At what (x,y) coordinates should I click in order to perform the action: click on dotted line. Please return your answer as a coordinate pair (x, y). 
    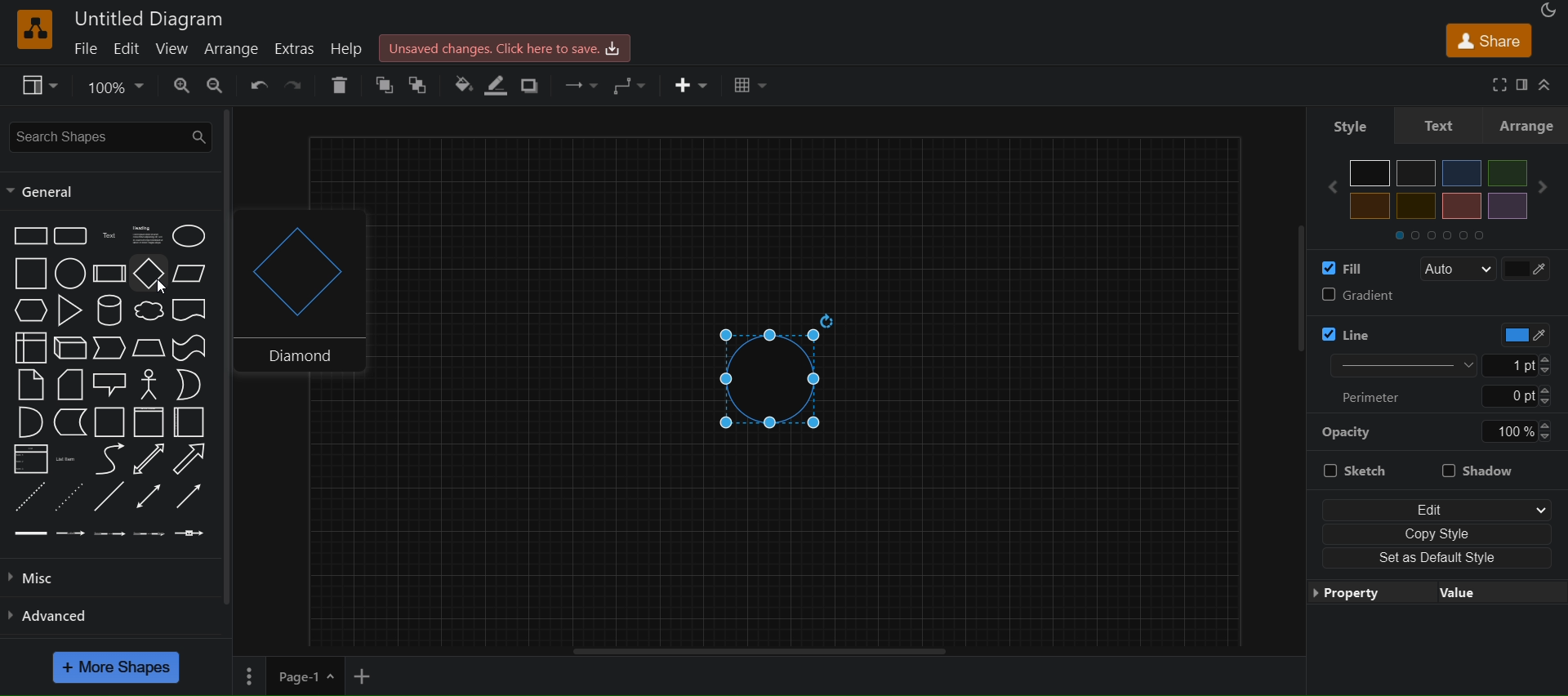
    Looking at the image, I should click on (69, 496).